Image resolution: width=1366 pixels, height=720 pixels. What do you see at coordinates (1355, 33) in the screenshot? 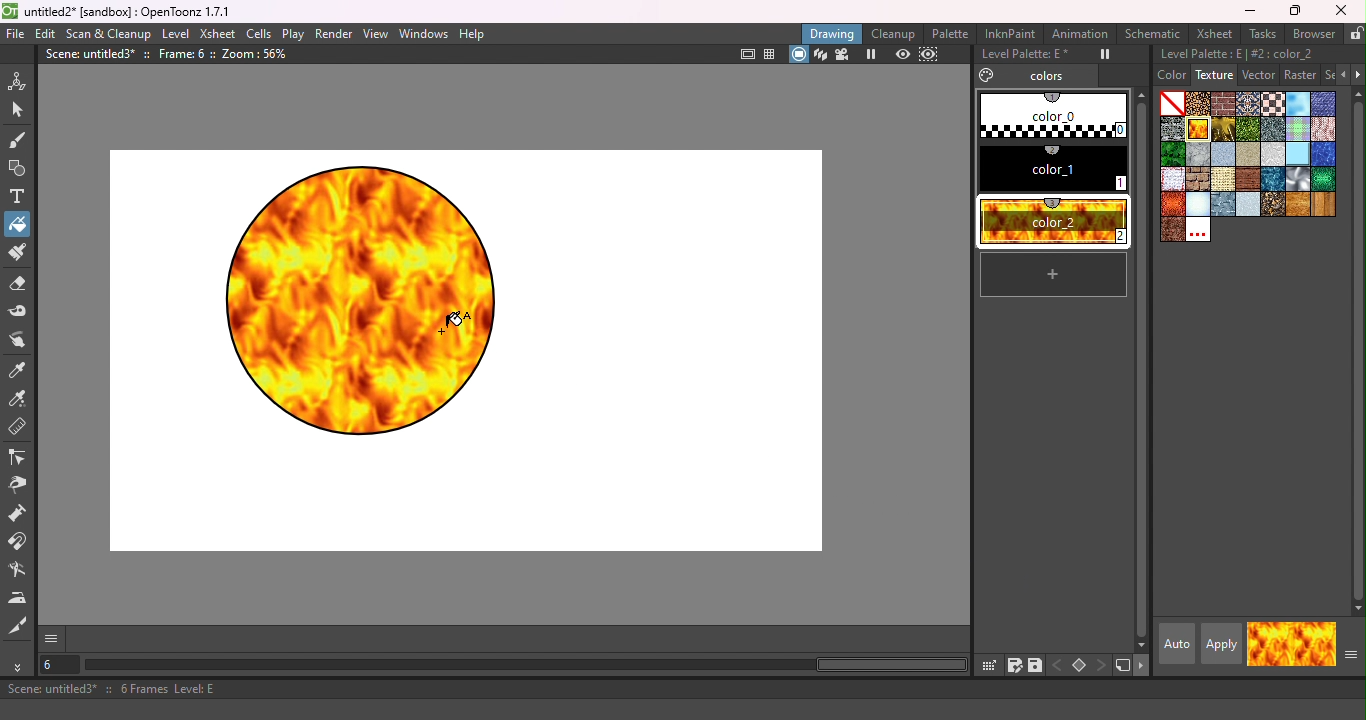
I see `Lock rooms tab` at bounding box center [1355, 33].